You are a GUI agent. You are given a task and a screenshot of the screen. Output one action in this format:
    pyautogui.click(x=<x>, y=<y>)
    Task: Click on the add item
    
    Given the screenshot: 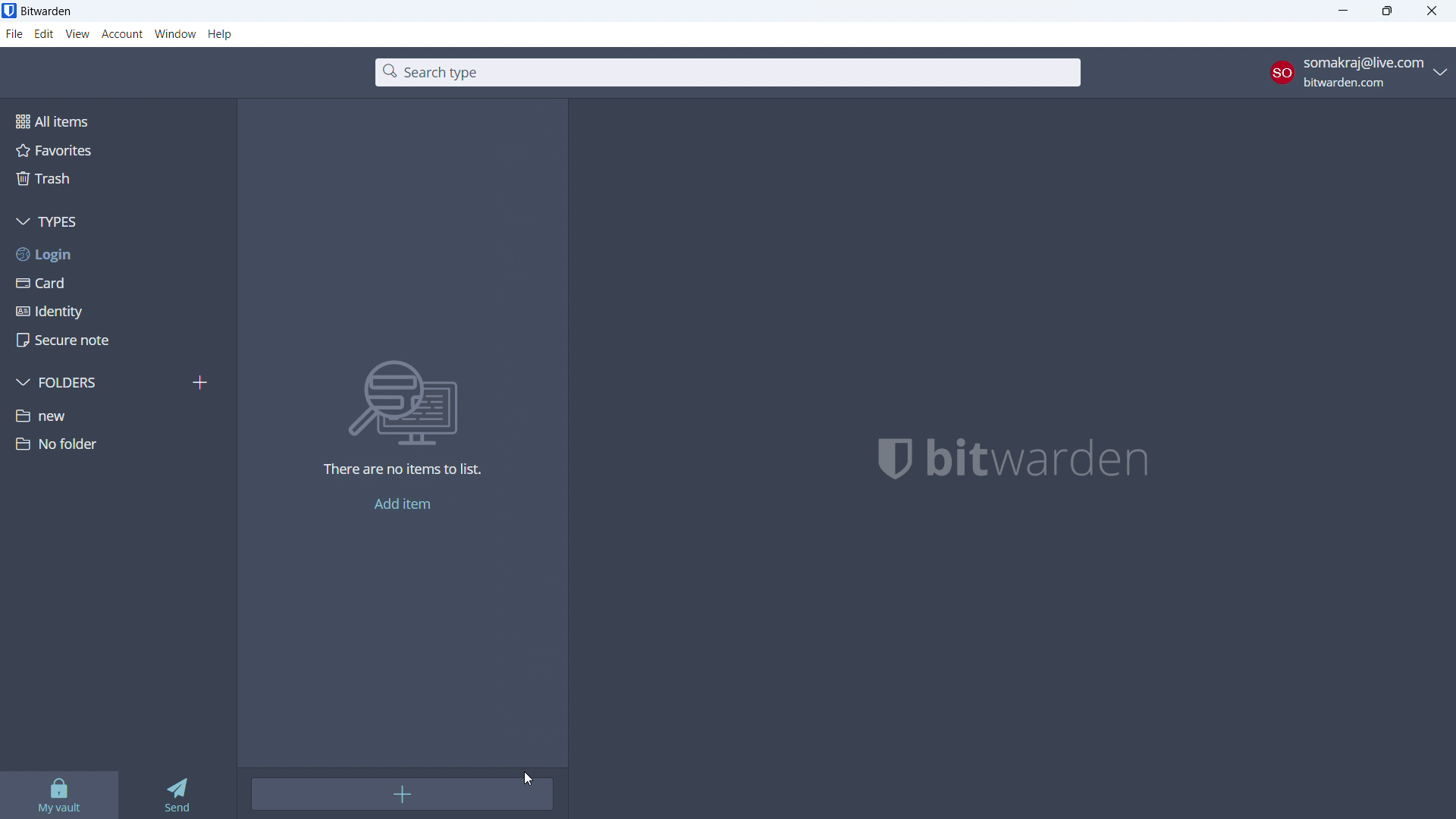 What is the action you would take?
    pyautogui.click(x=403, y=794)
    